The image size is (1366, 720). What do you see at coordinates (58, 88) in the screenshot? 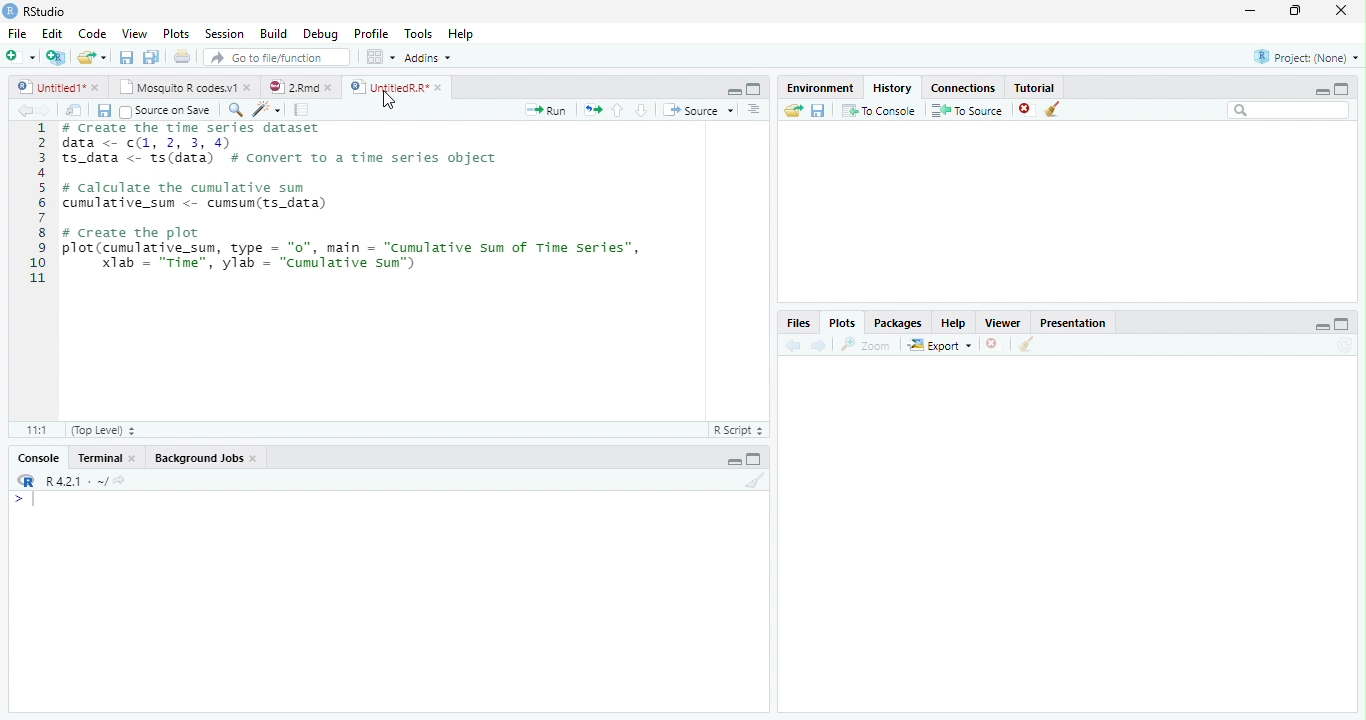
I see `Untitled` at bounding box center [58, 88].